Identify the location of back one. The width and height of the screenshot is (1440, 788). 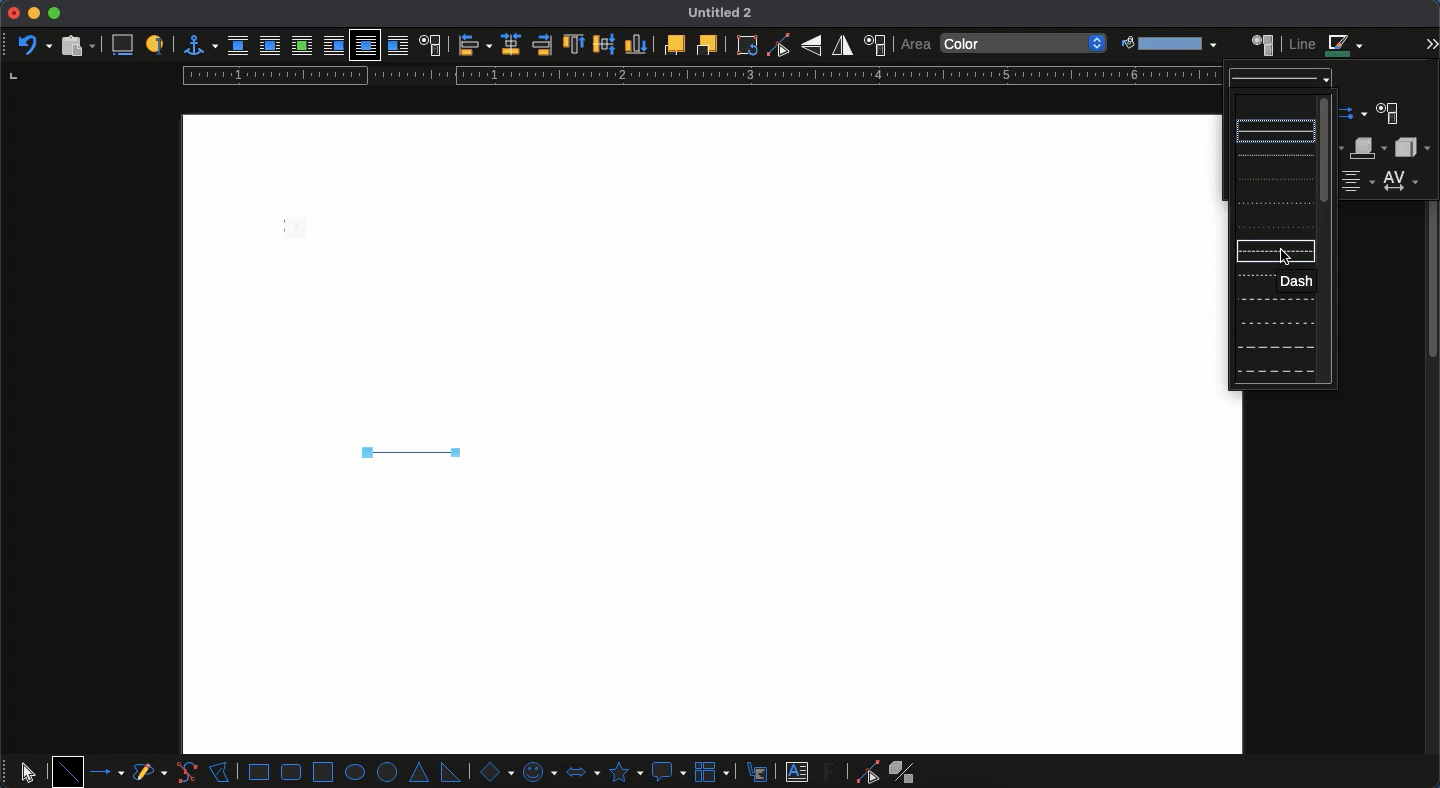
(705, 44).